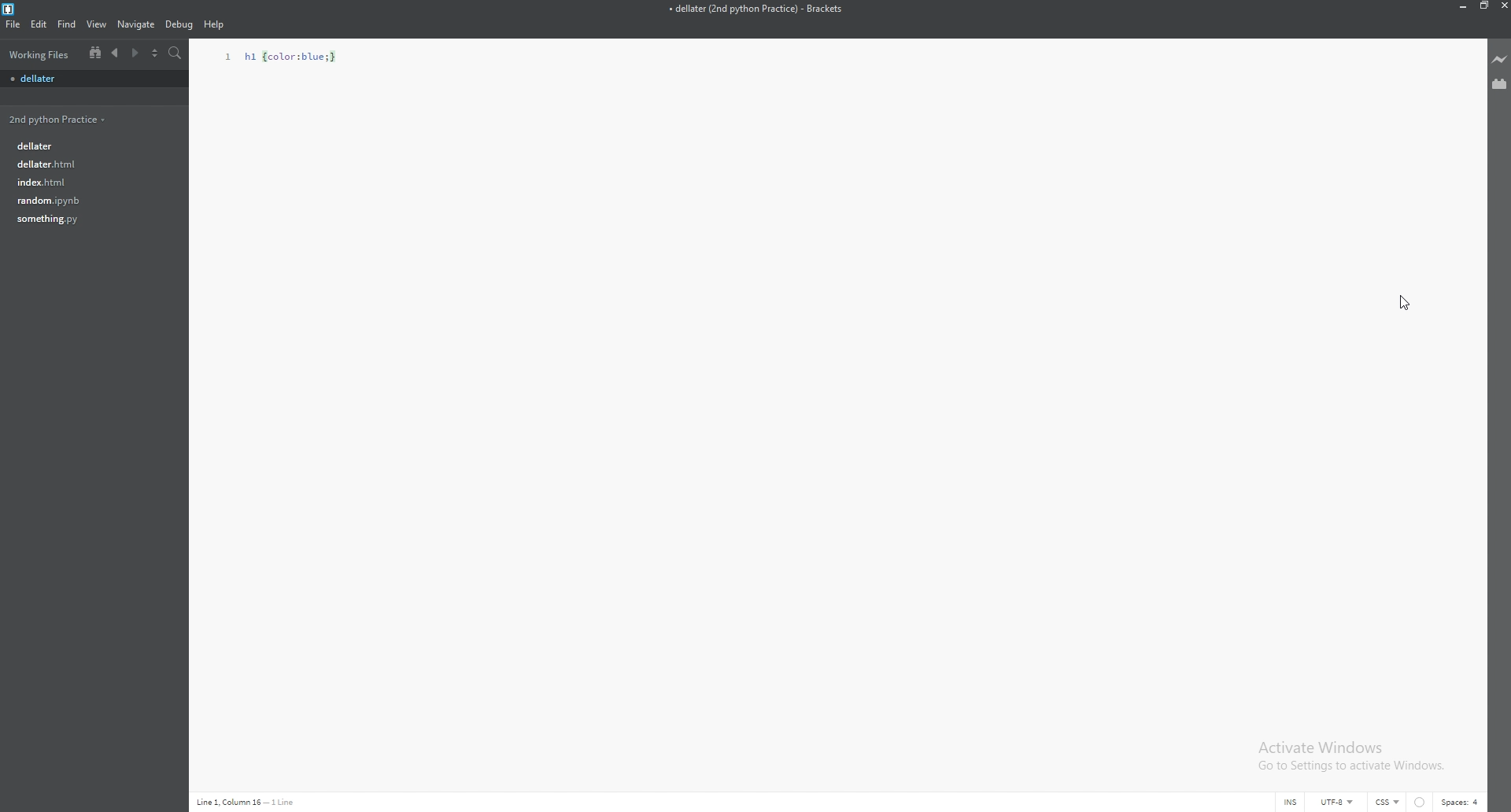 Image resolution: width=1511 pixels, height=812 pixels. Describe the element at coordinates (179, 25) in the screenshot. I see `debug` at that location.